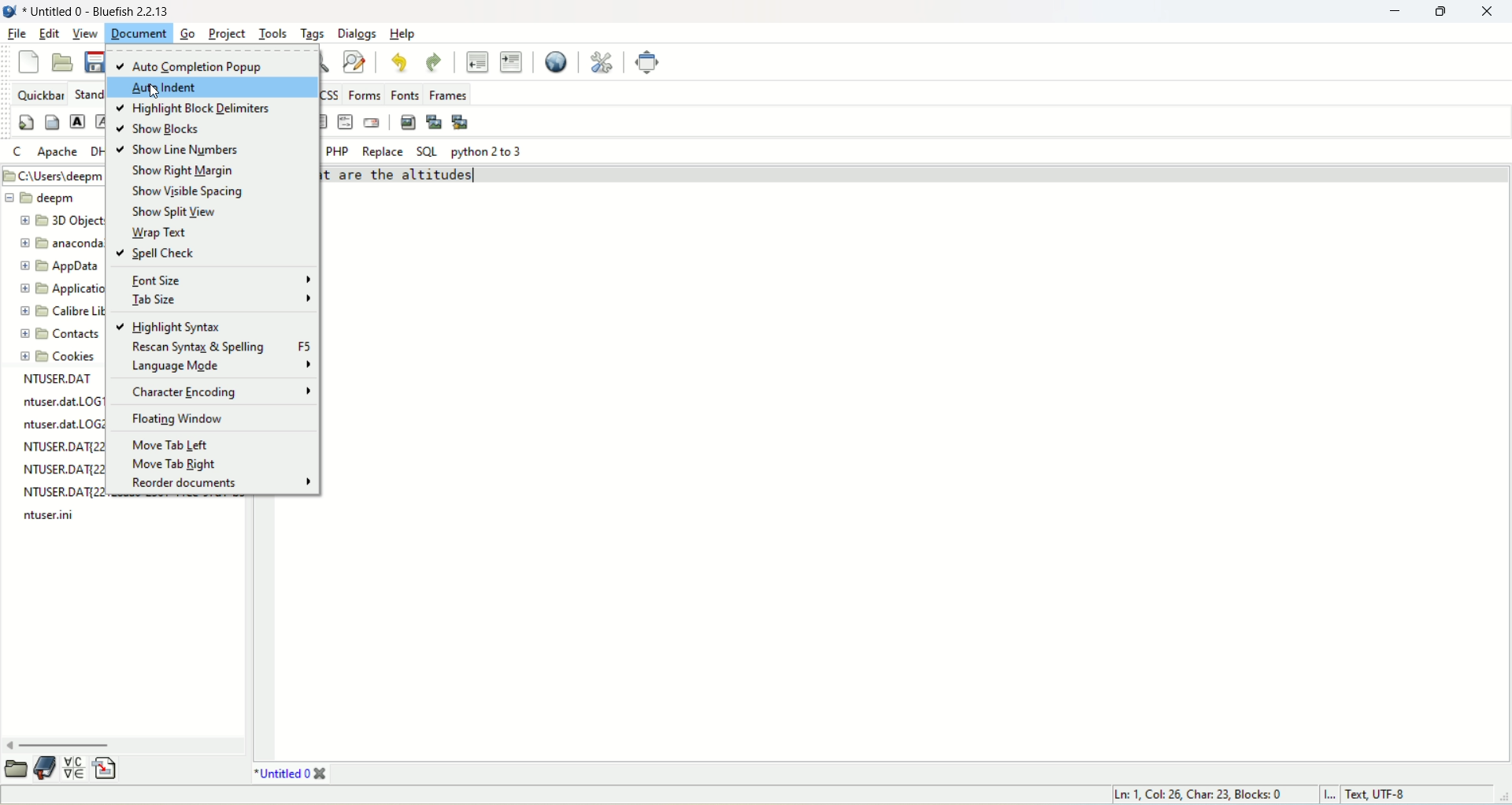 Image resolution: width=1512 pixels, height=805 pixels. I want to click on emphasize, so click(102, 122).